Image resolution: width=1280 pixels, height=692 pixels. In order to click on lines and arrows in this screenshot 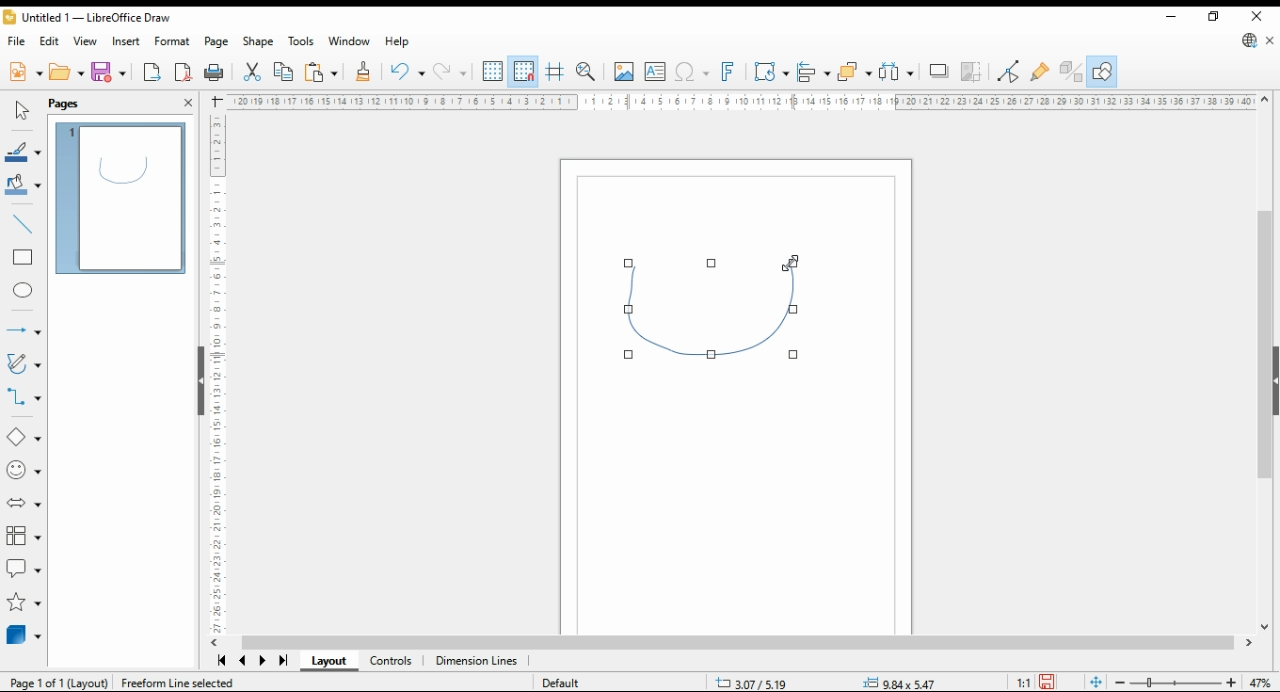, I will do `click(22, 330)`.